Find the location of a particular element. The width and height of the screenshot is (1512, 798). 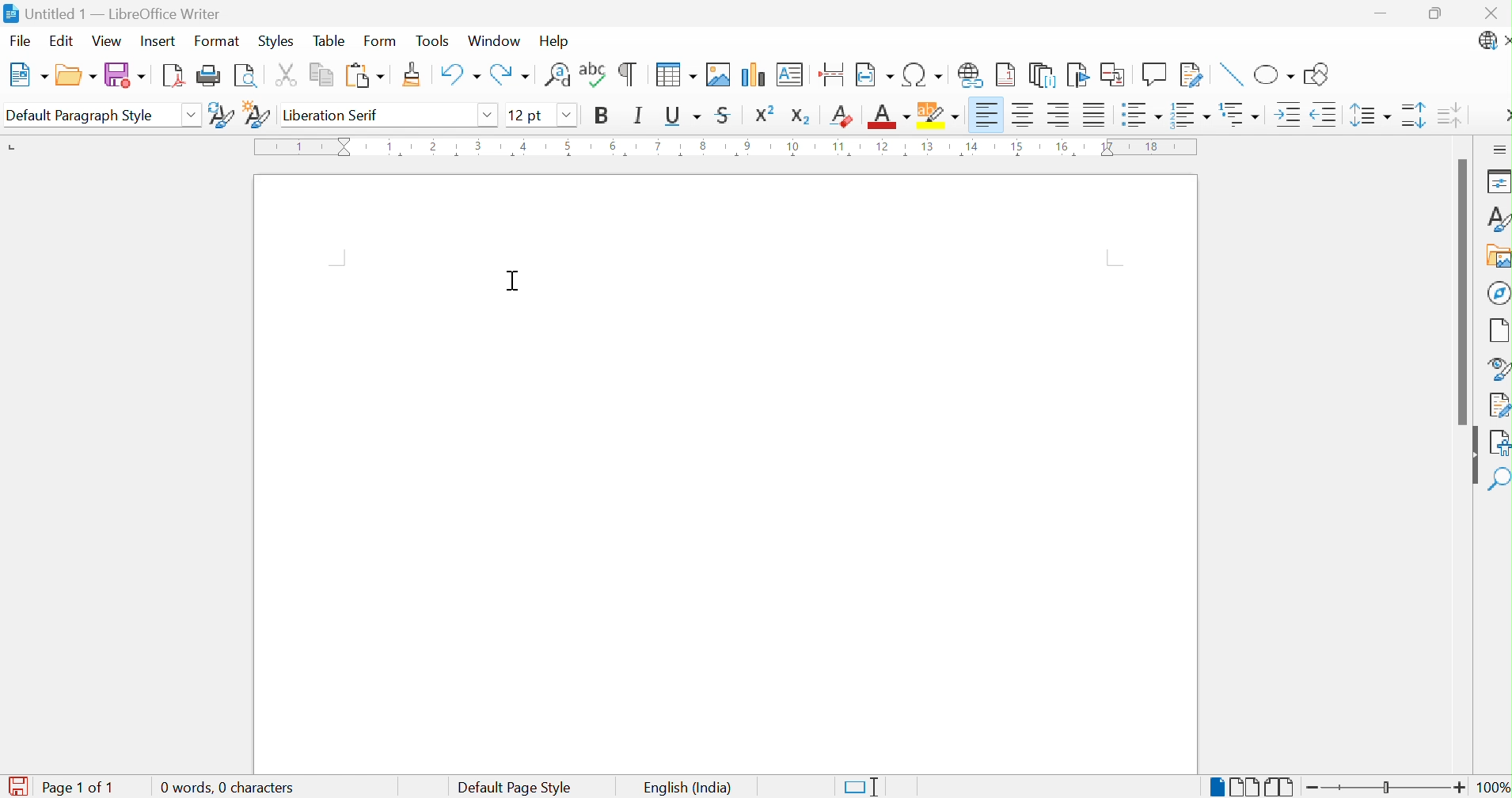

Page is located at coordinates (1498, 330).